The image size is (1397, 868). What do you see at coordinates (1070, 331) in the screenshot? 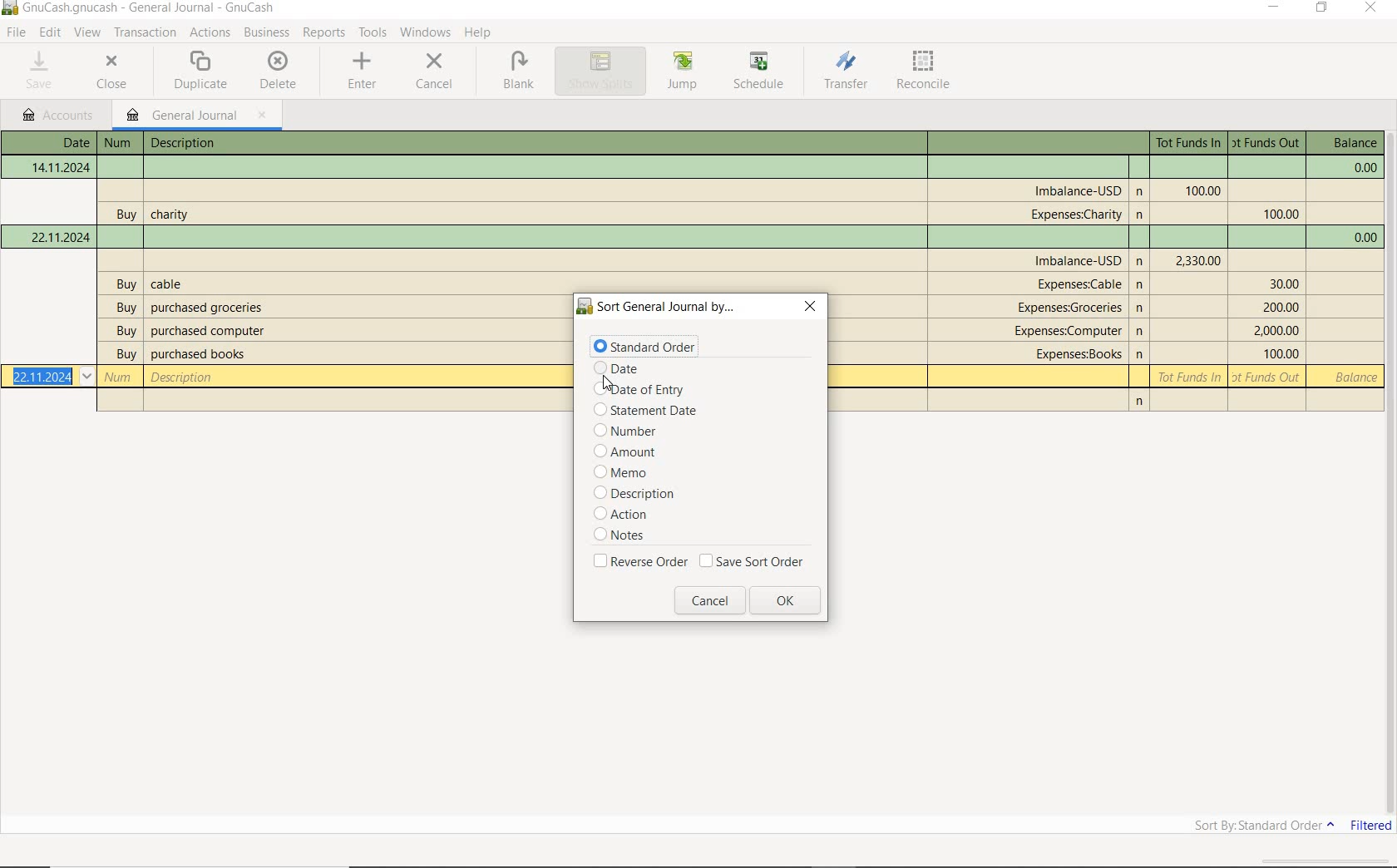
I see `account` at bounding box center [1070, 331].